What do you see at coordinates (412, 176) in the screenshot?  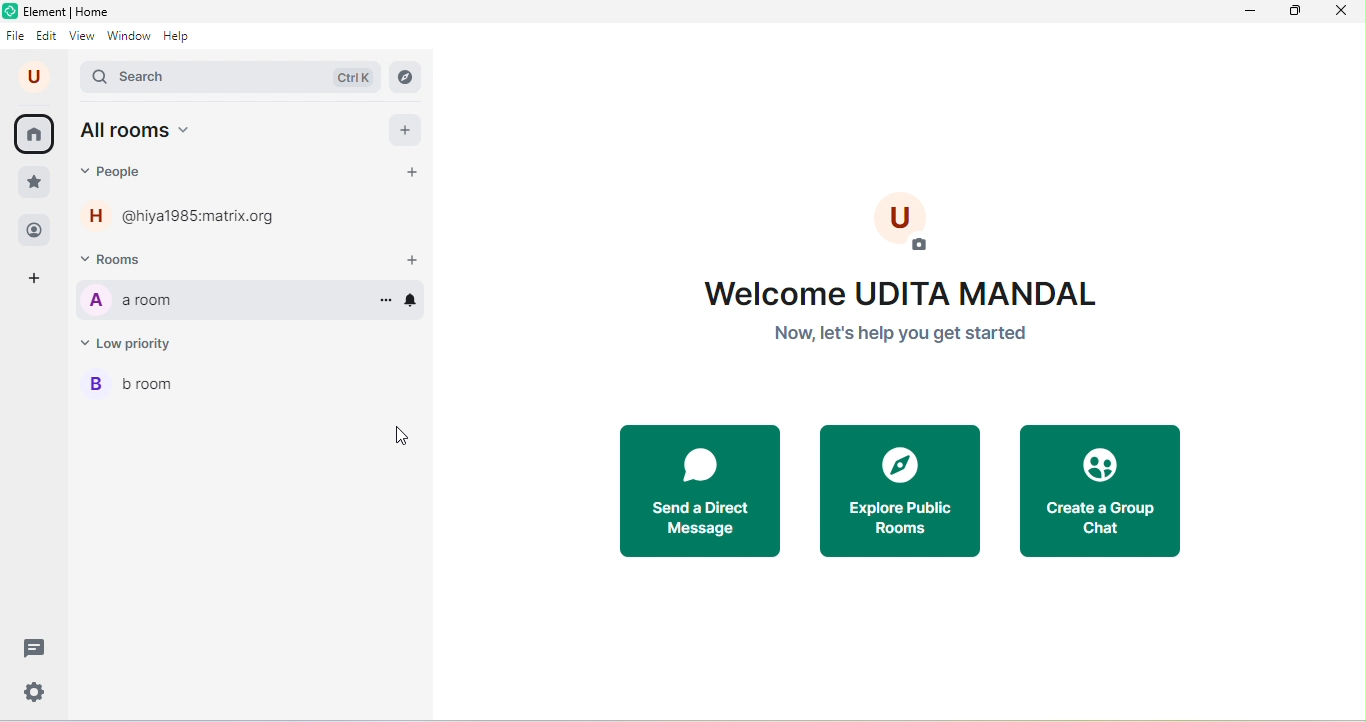 I see `start a chat` at bounding box center [412, 176].